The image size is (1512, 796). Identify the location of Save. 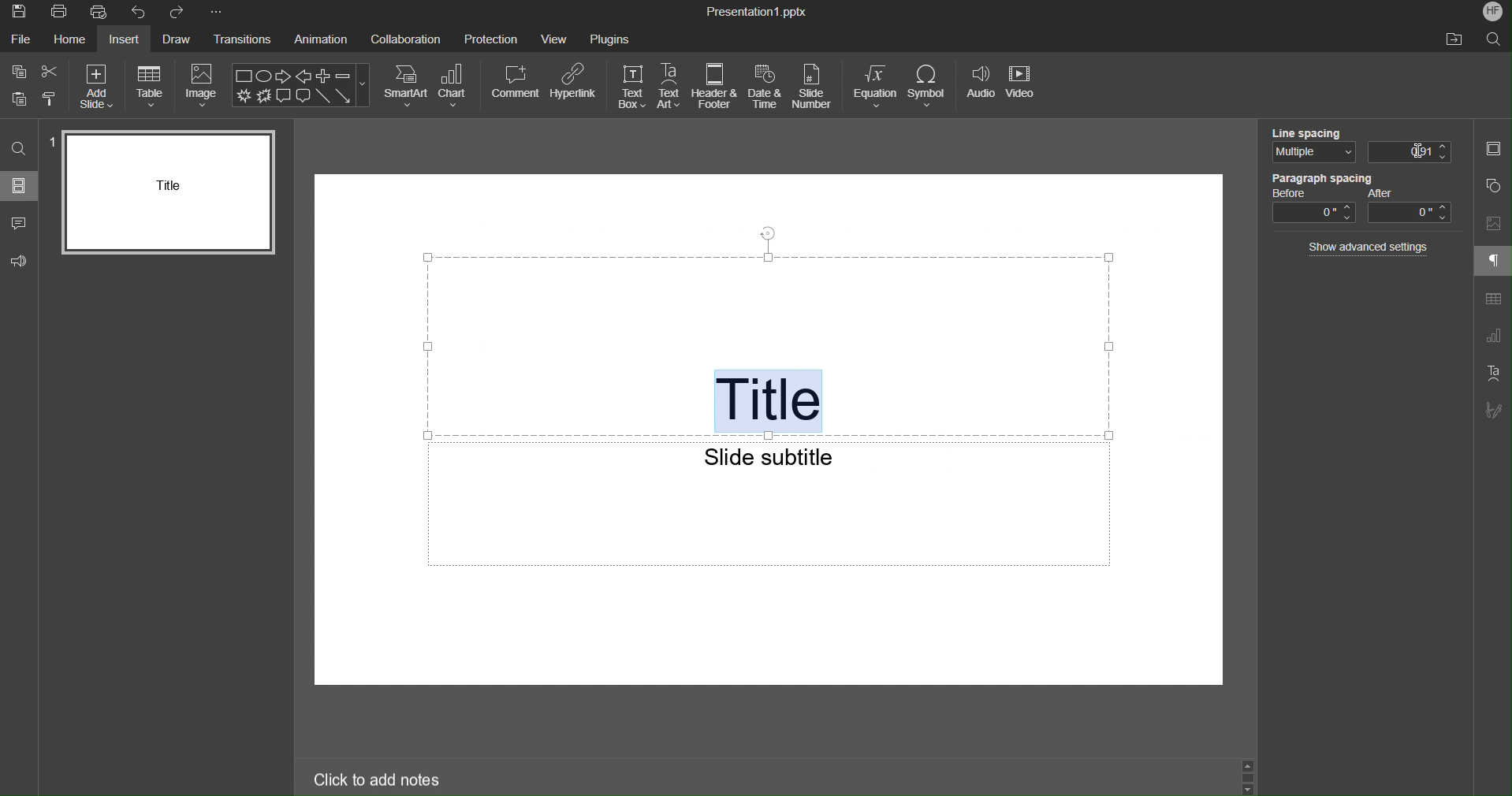
(17, 13).